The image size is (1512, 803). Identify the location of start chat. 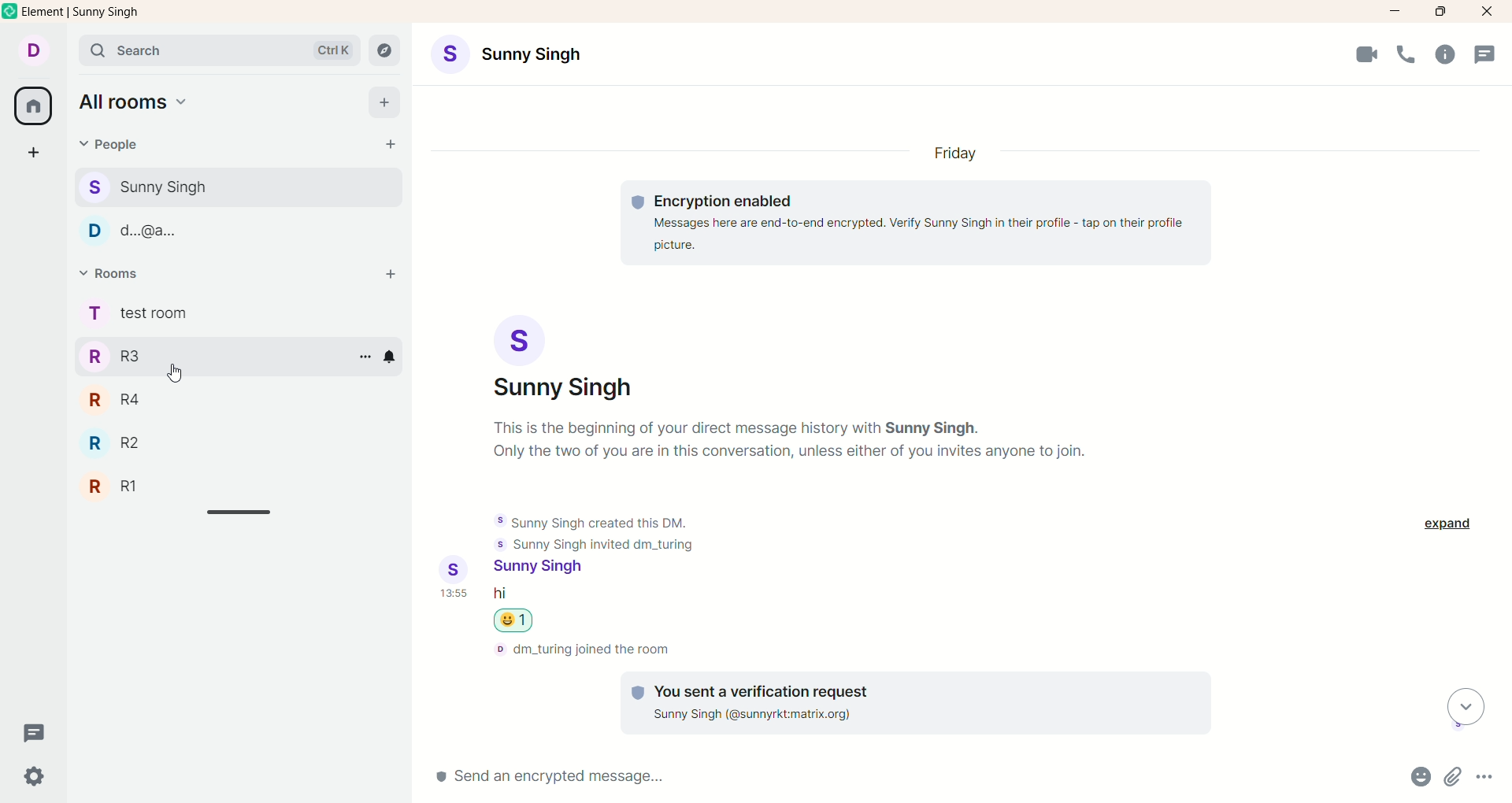
(381, 146).